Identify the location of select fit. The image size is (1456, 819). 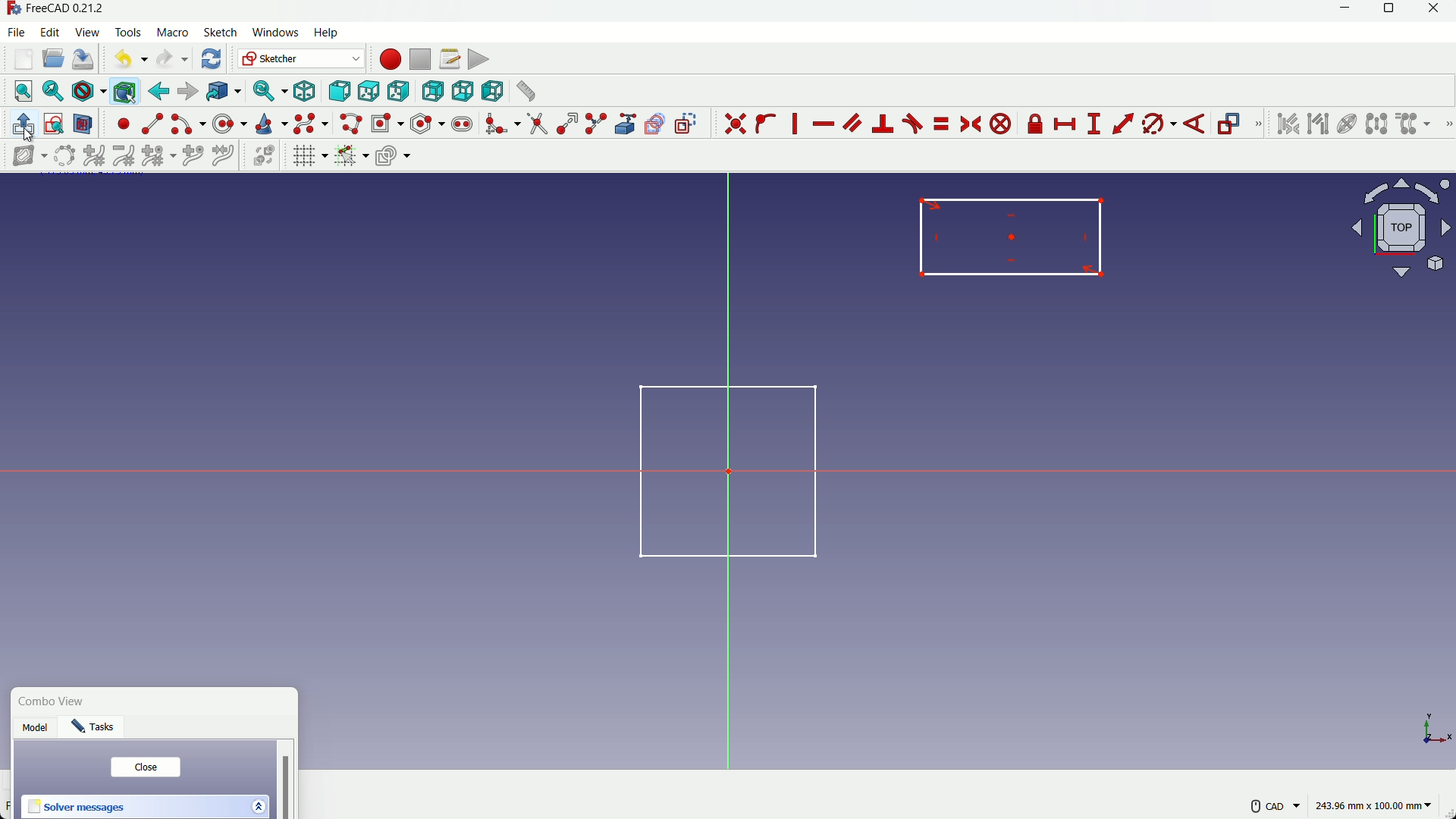
(52, 91).